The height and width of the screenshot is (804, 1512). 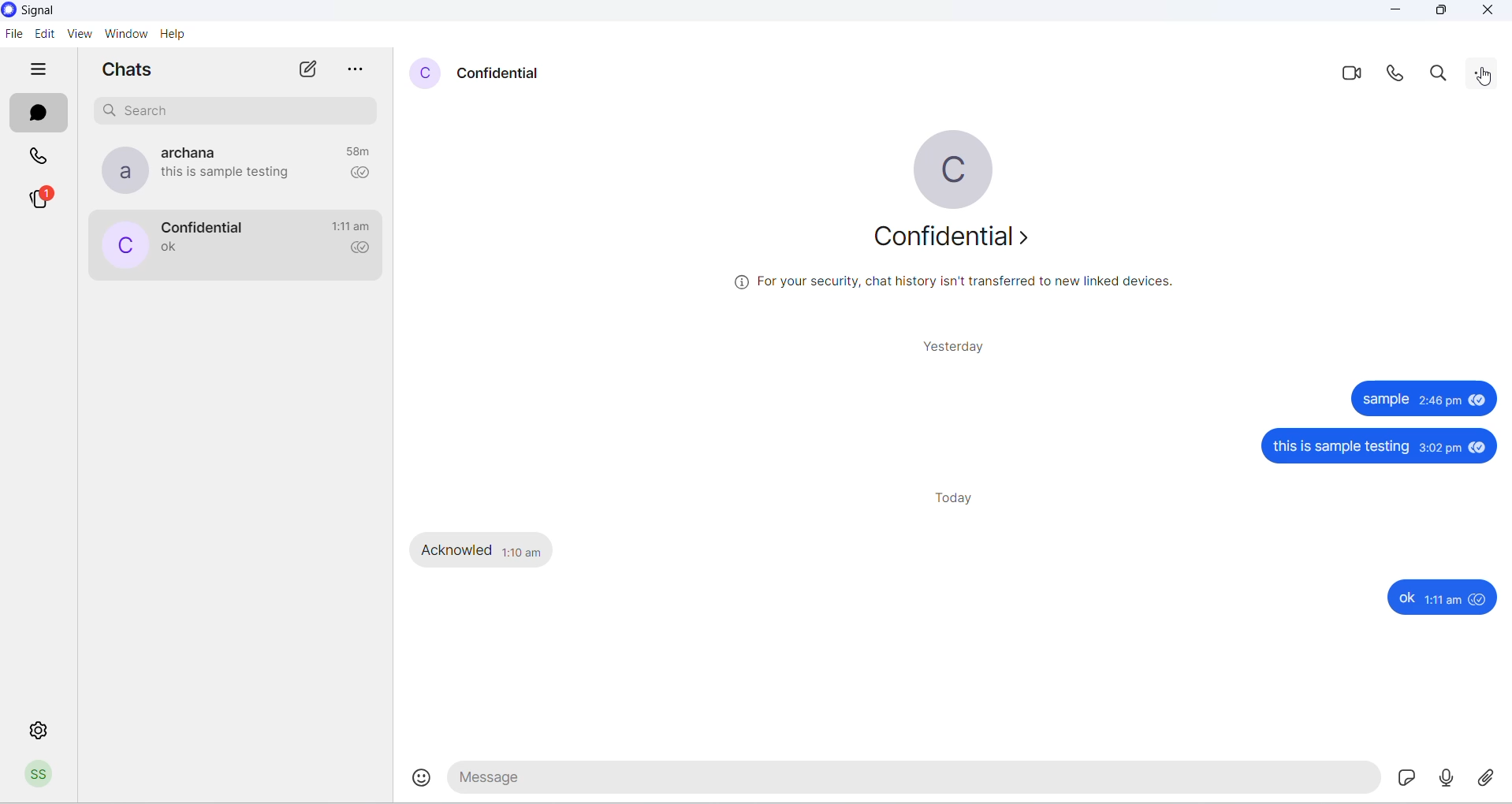 I want to click on 3:02 pm, so click(x=1441, y=449).